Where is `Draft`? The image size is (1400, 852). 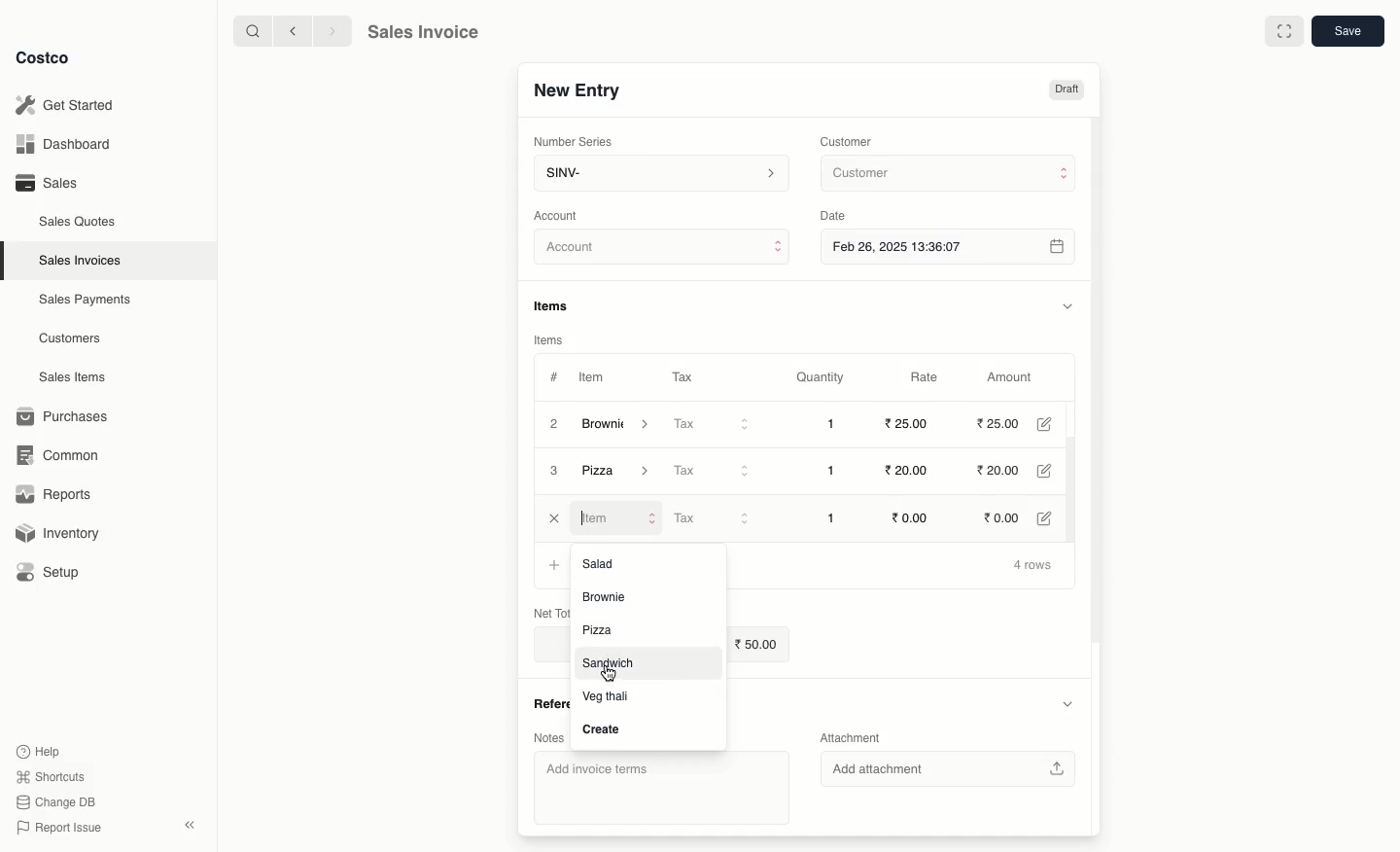 Draft is located at coordinates (1067, 90).